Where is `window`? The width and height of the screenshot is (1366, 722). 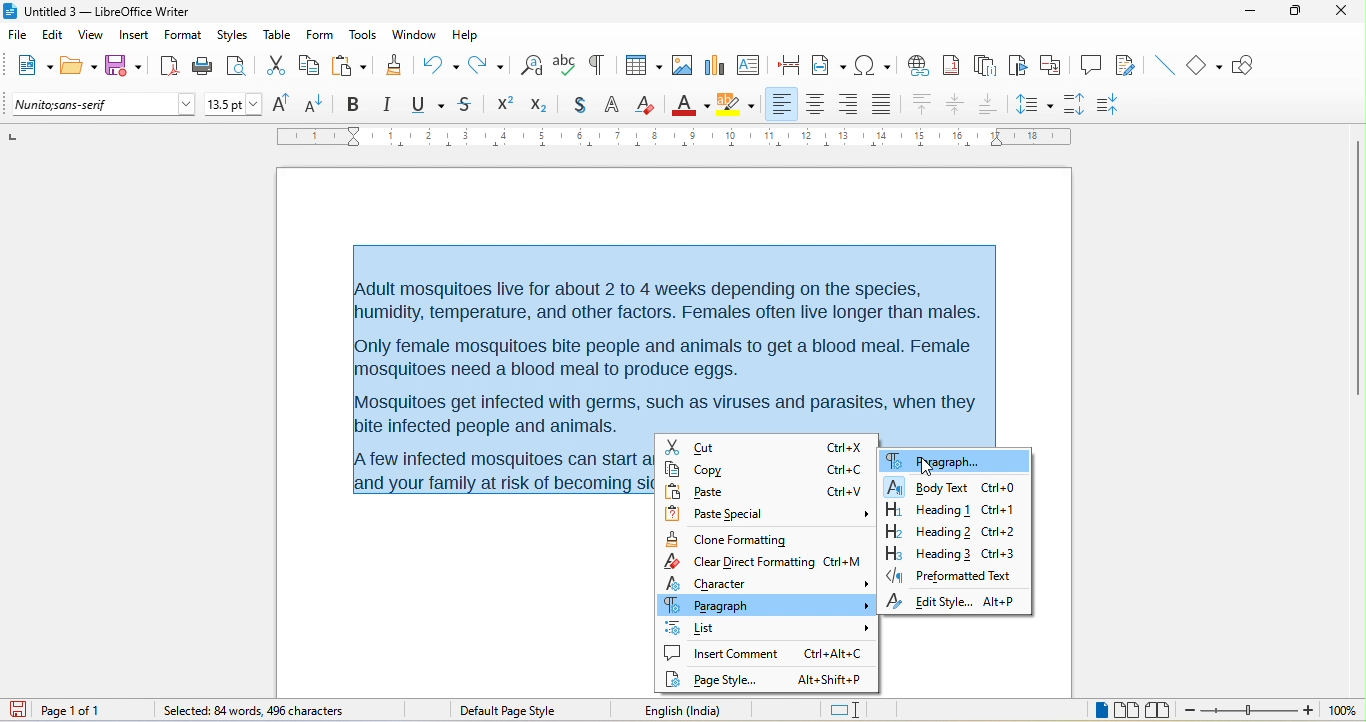
window is located at coordinates (415, 35).